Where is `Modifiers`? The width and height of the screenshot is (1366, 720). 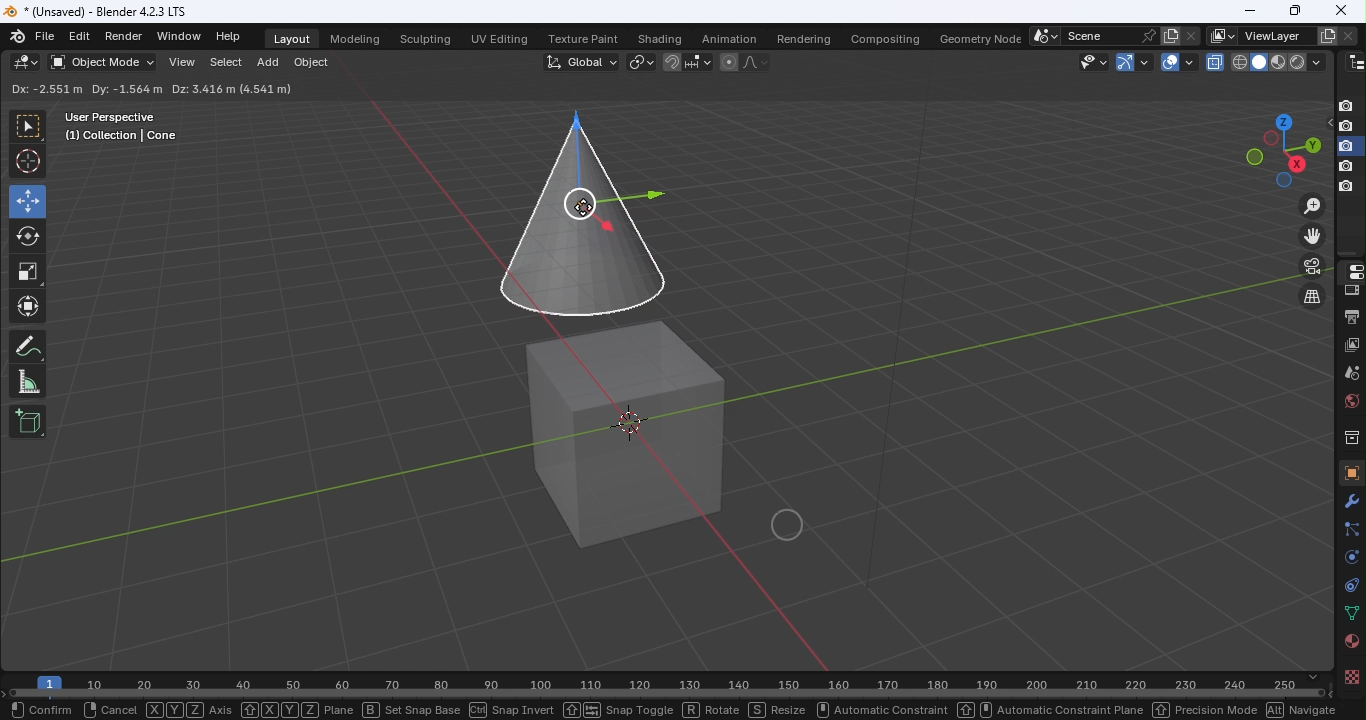
Modifiers is located at coordinates (1352, 500).